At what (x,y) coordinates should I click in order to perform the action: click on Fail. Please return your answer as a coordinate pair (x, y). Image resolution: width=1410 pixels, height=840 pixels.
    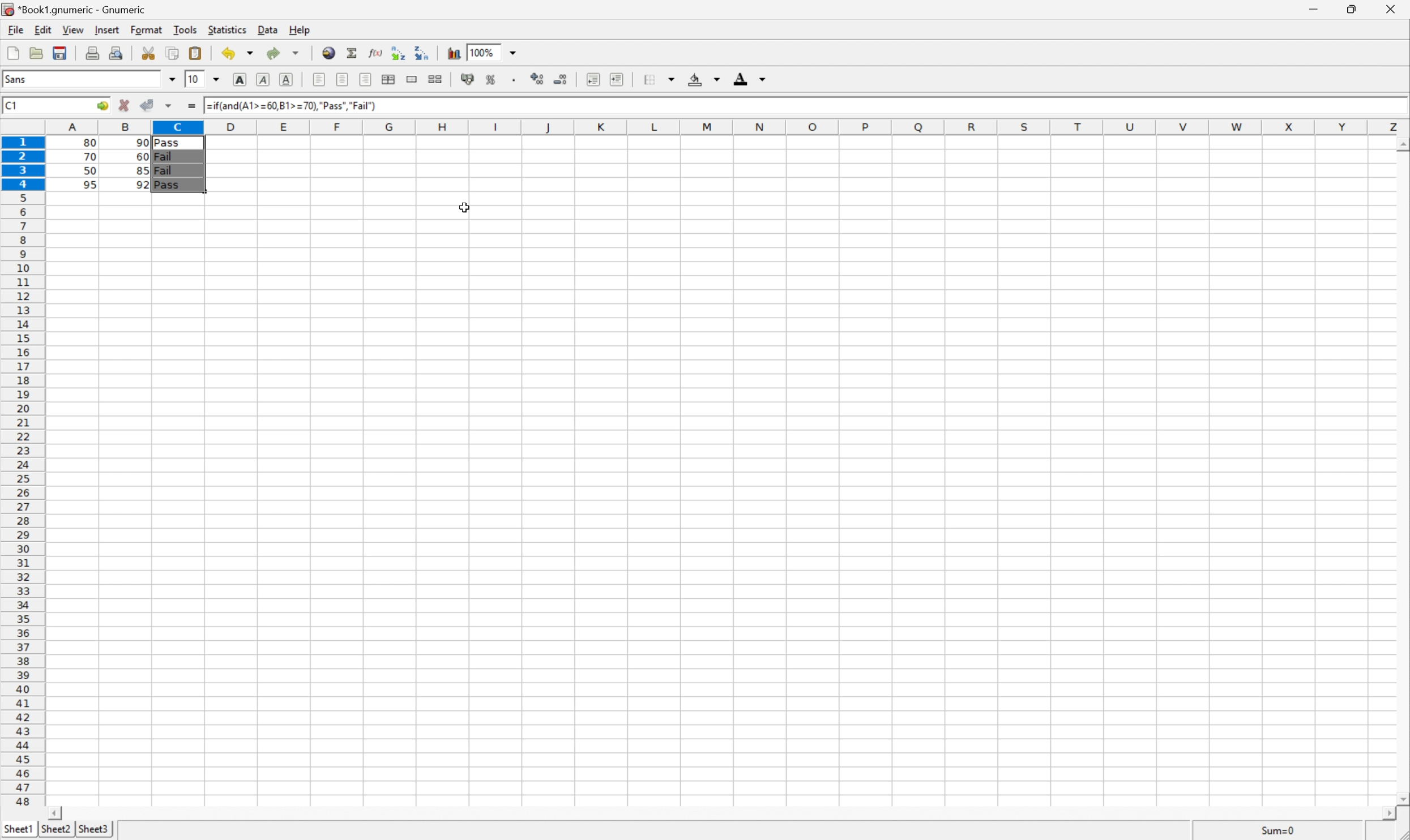
    Looking at the image, I should click on (171, 170).